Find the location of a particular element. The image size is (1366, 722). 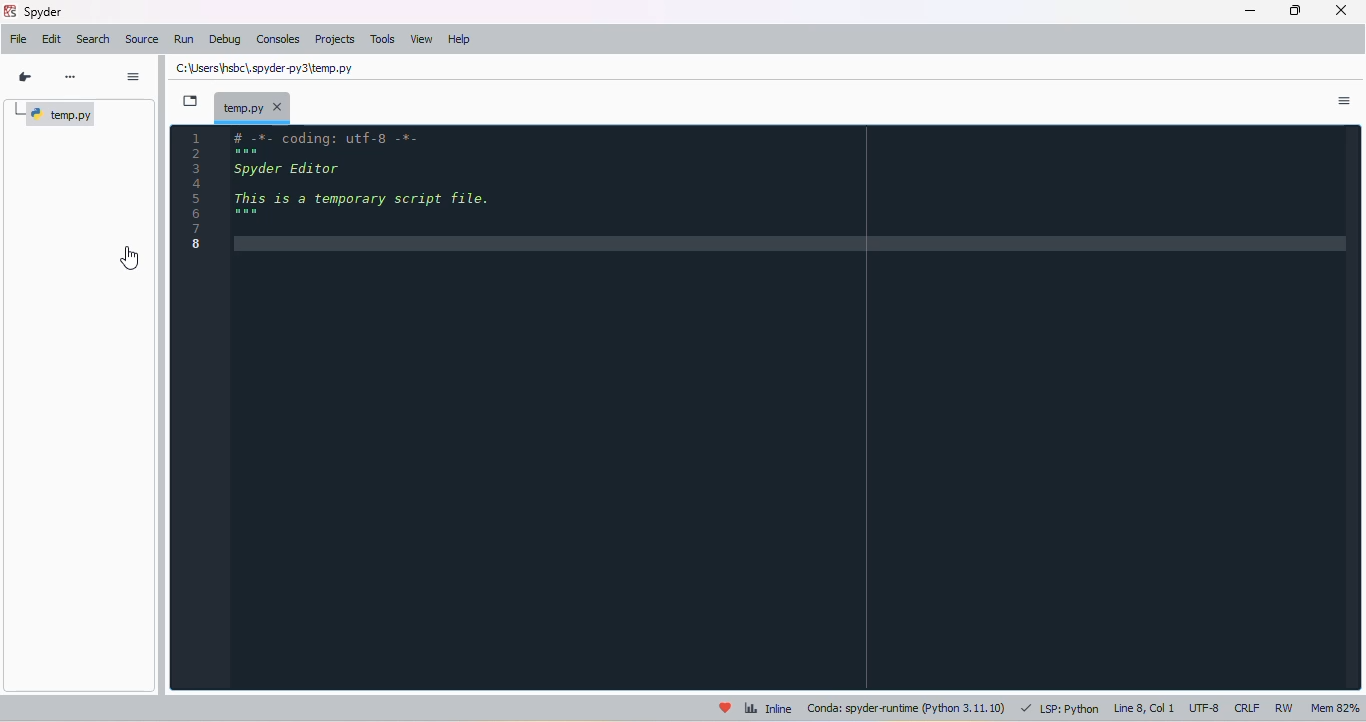

temp.py is located at coordinates (60, 114).